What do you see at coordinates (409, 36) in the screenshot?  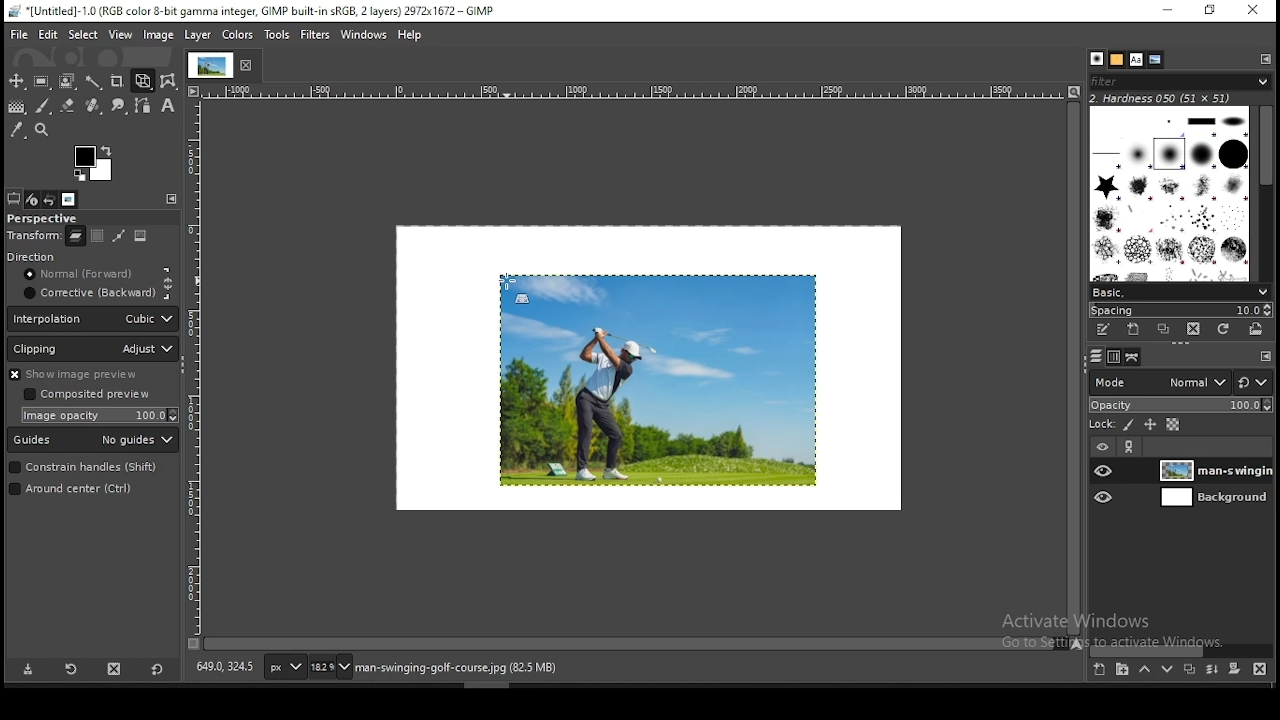 I see `help` at bounding box center [409, 36].